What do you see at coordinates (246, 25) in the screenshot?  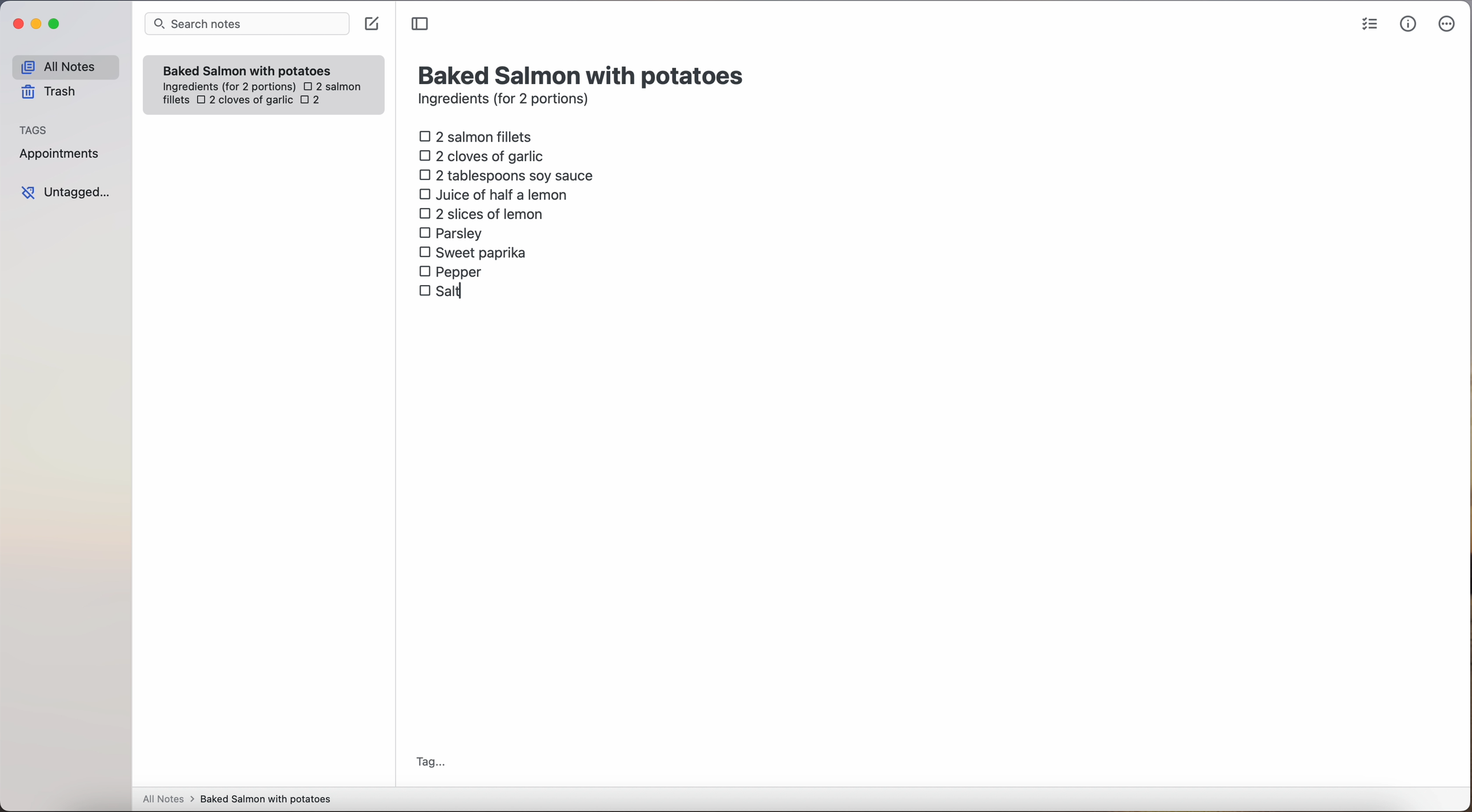 I see `search bar` at bounding box center [246, 25].